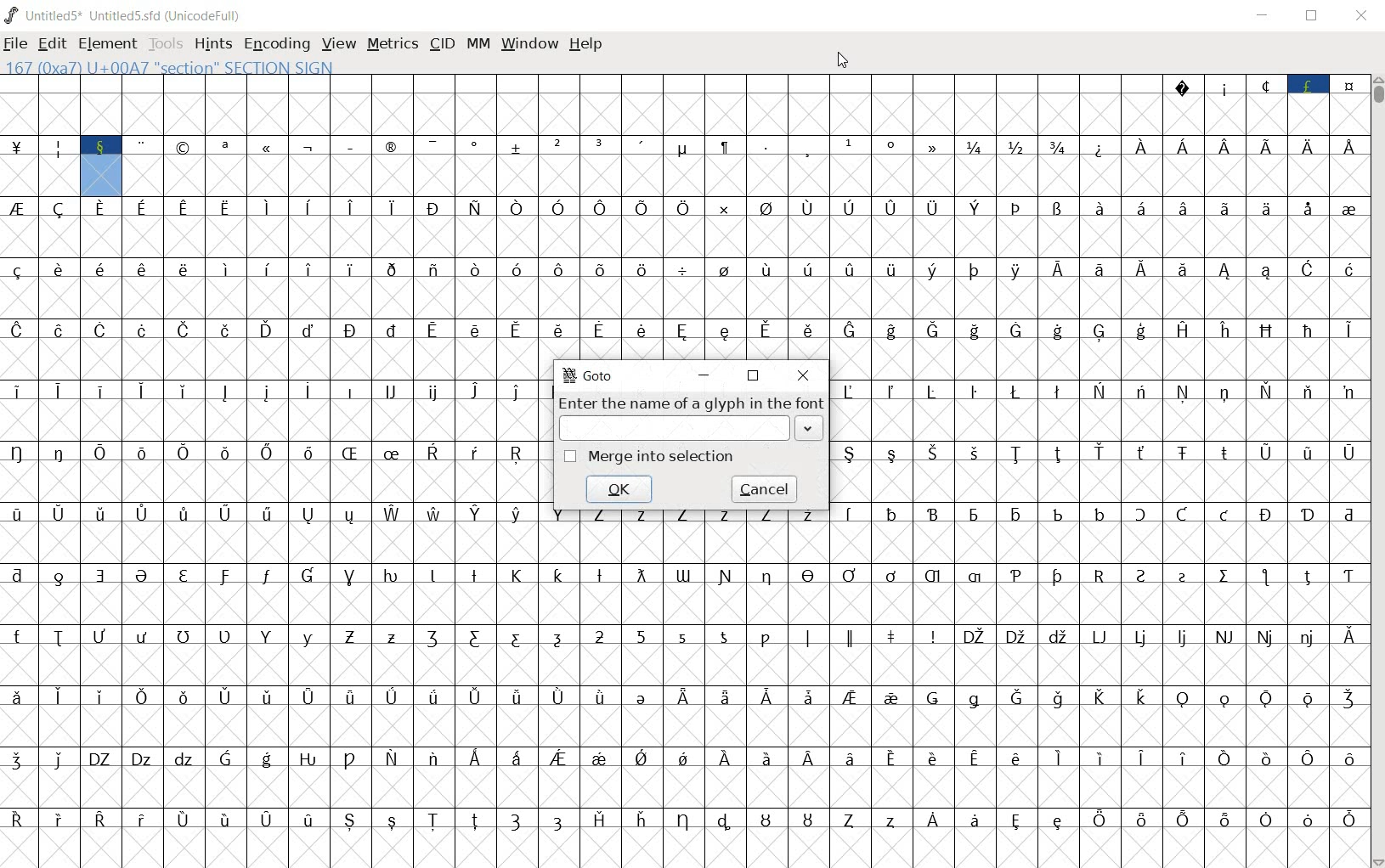 Image resolution: width=1385 pixels, height=868 pixels. What do you see at coordinates (392, 45) in the screenshot?
I see `metrics` at bounding box center [392, 45].